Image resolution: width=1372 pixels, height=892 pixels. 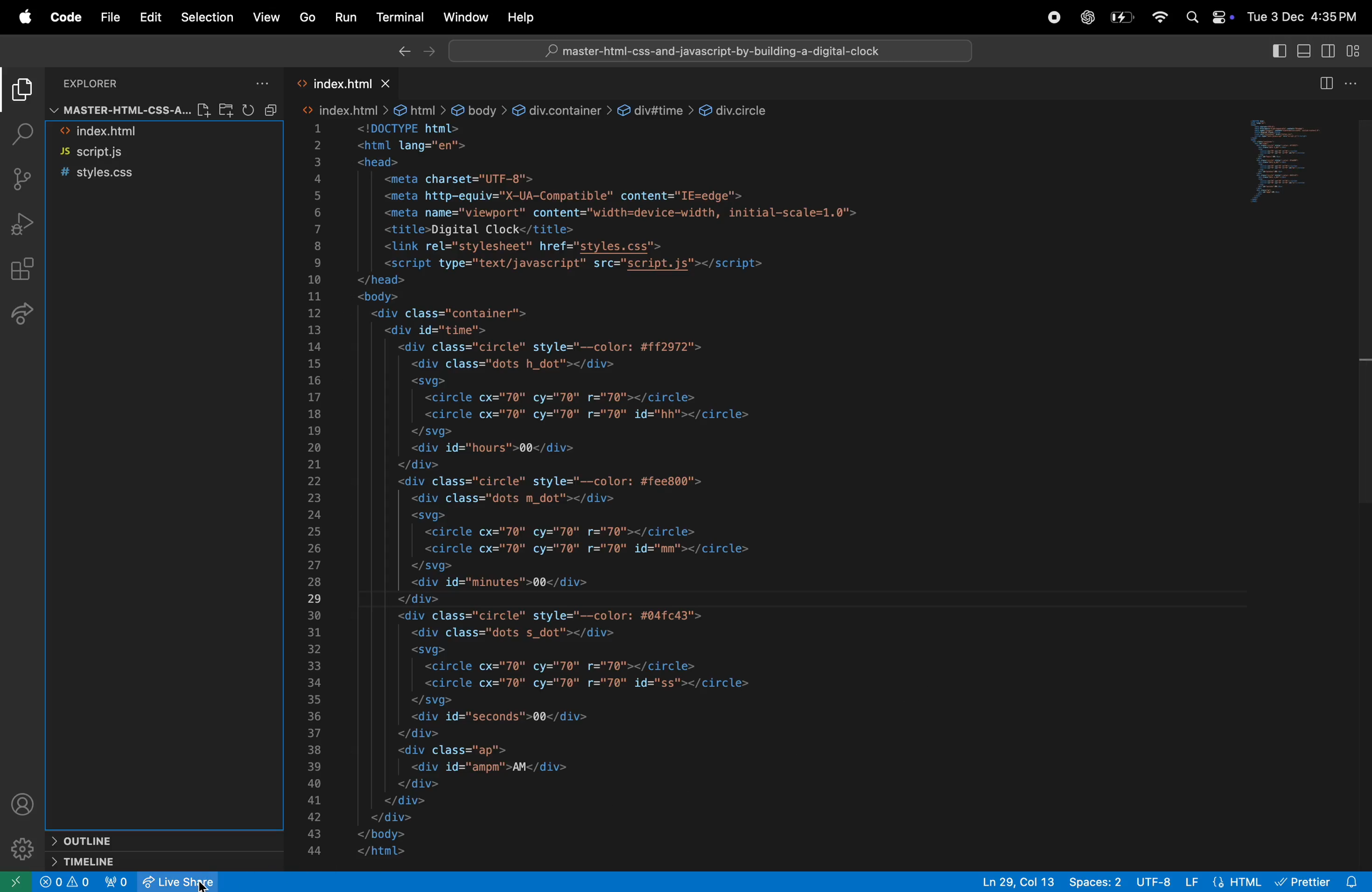 I want to click on battery, so click(x=1120, y=17).